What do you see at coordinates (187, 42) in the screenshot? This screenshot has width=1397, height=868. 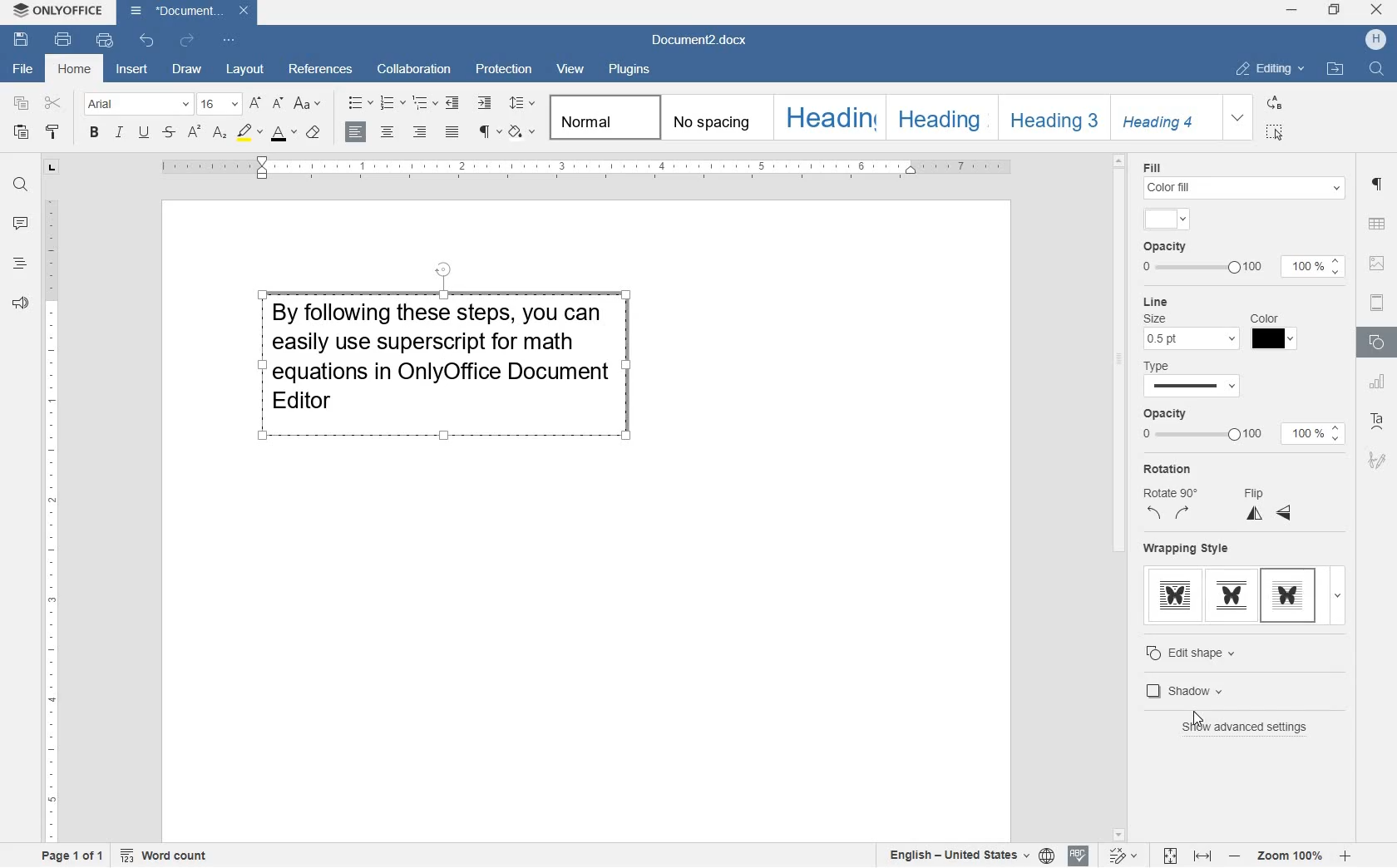 I see `redo` at bounding box center [187, 42].